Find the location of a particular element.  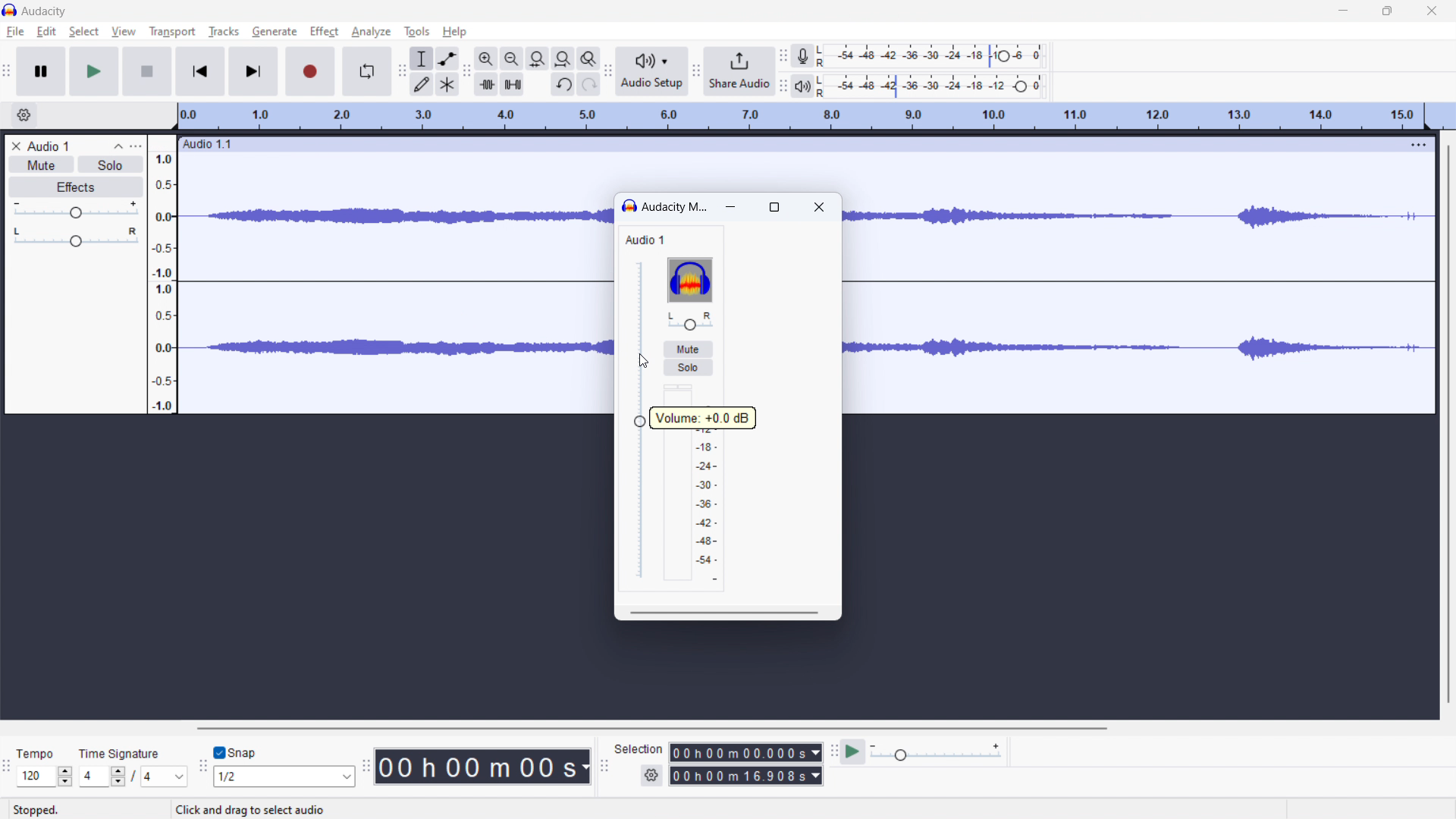

stopped is located at coordinates (42, 805).